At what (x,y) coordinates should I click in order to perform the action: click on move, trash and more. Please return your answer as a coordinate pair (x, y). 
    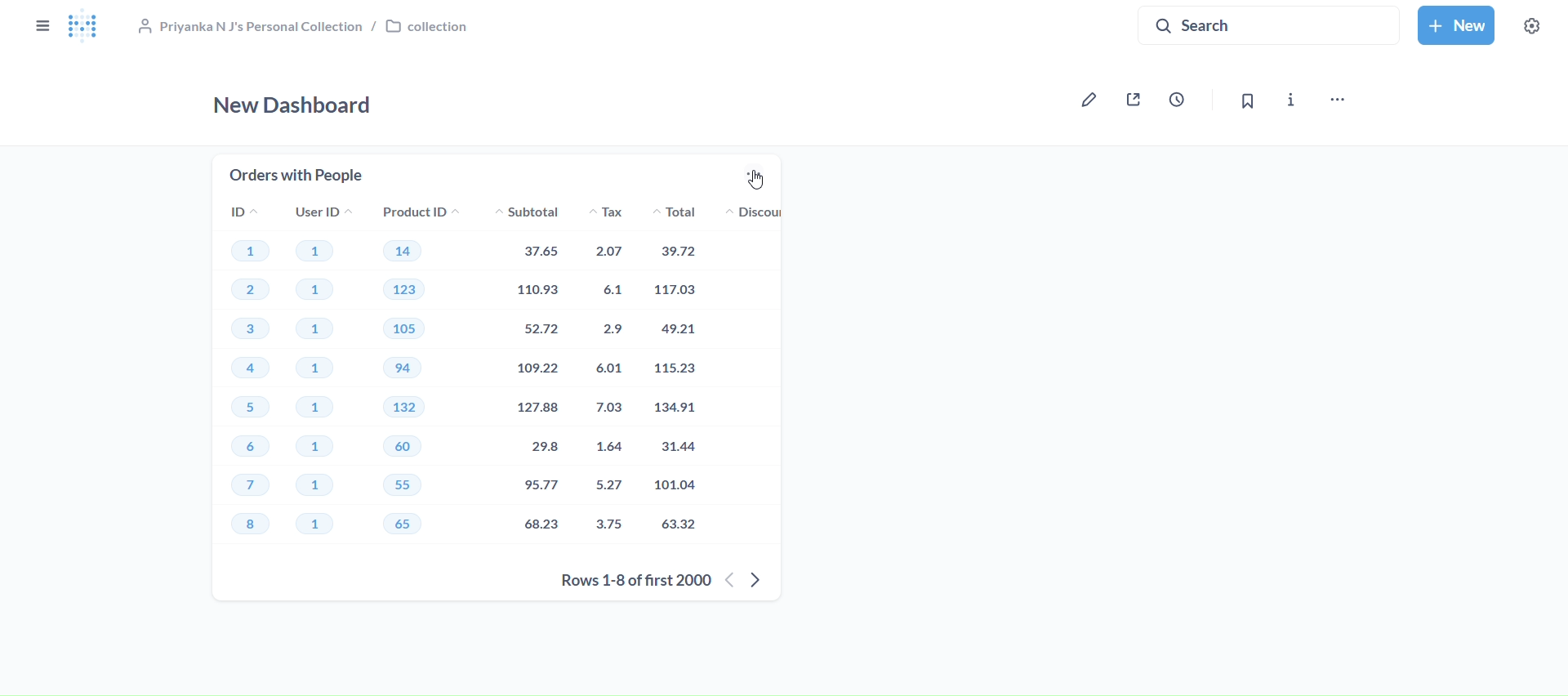
    Looking at the image, I should click on (1340, 99).